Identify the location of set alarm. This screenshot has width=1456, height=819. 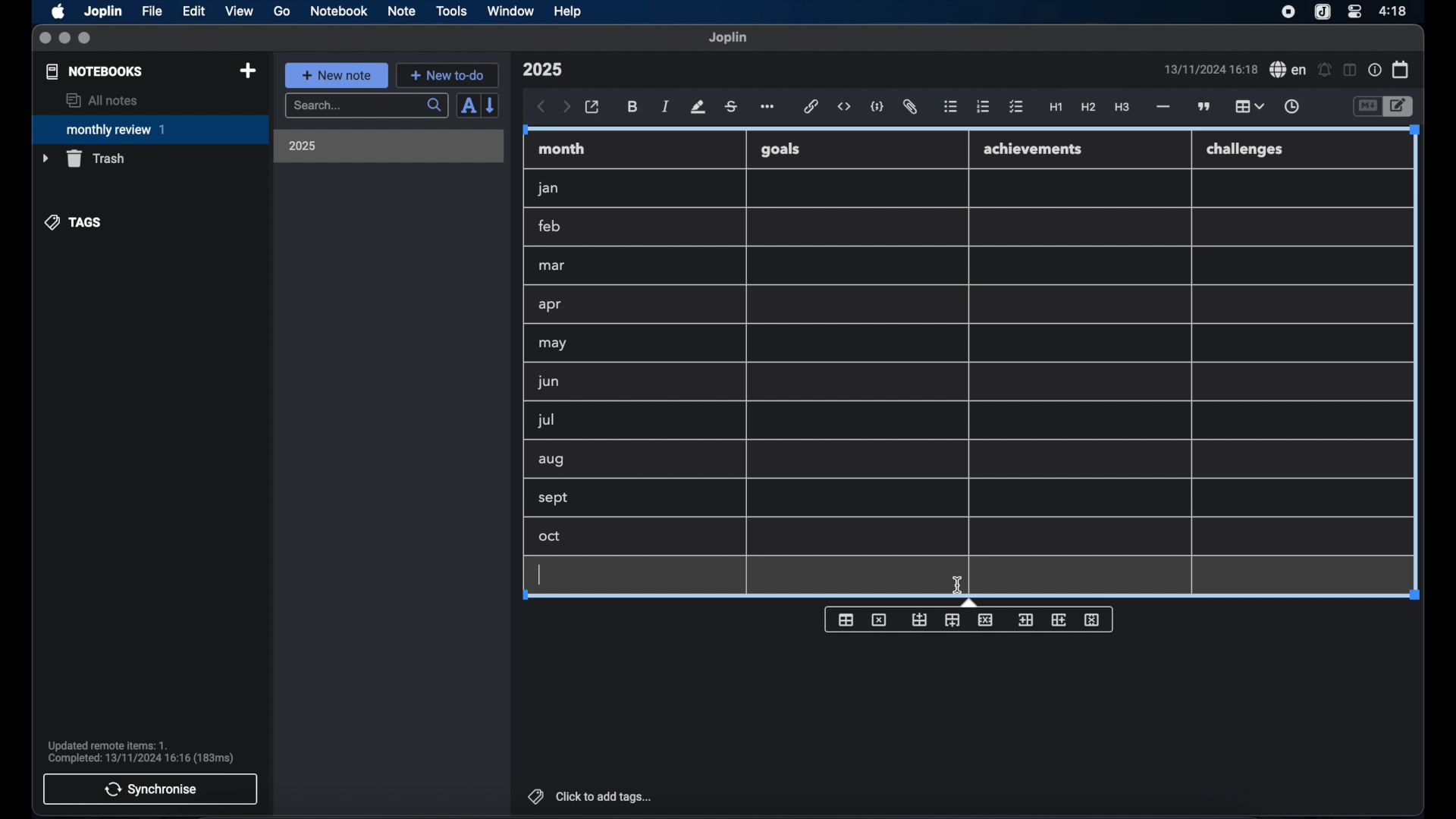
(1325, 71).